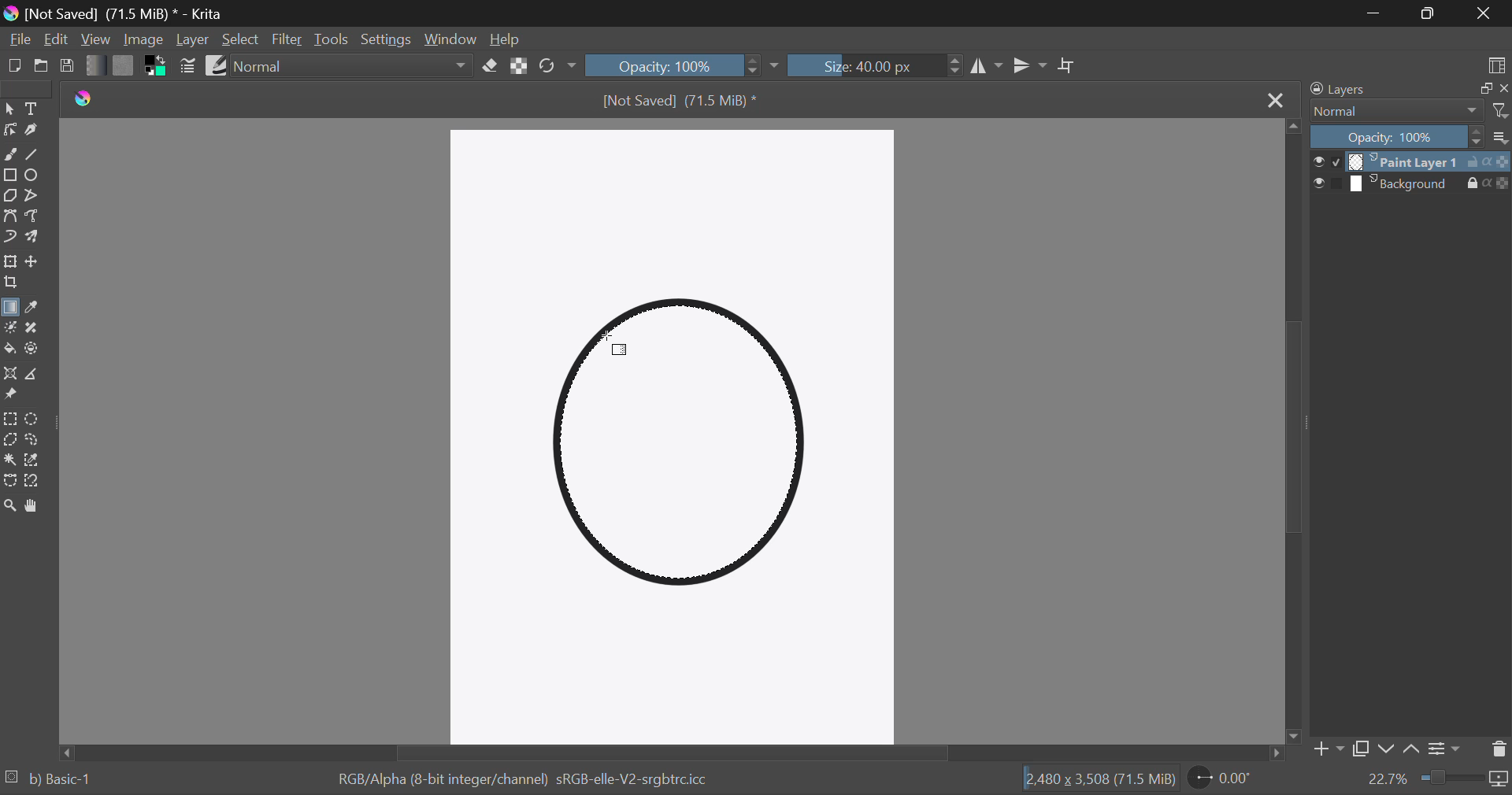 Image resolution: width=1512 pixels, height=795 pixels. I want to click on Close, so click(1488, 14).